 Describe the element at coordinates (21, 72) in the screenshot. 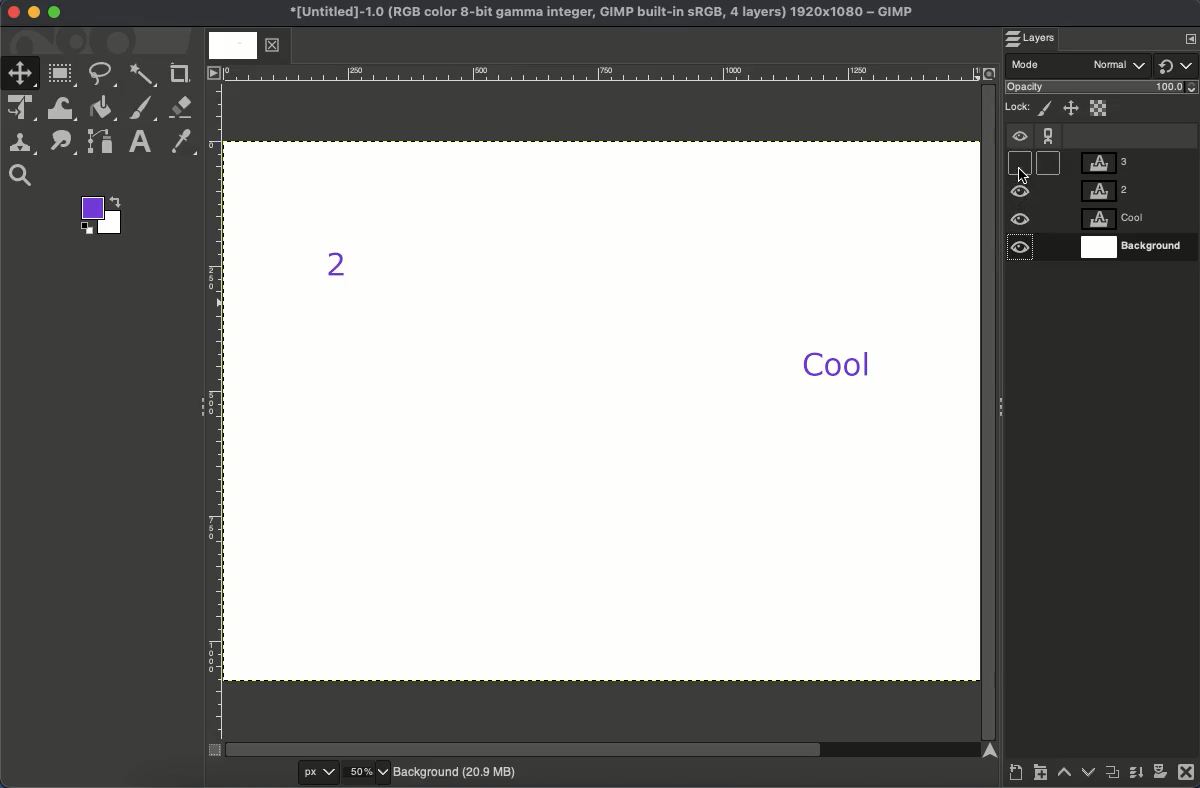

I see `Move tool` at that location.